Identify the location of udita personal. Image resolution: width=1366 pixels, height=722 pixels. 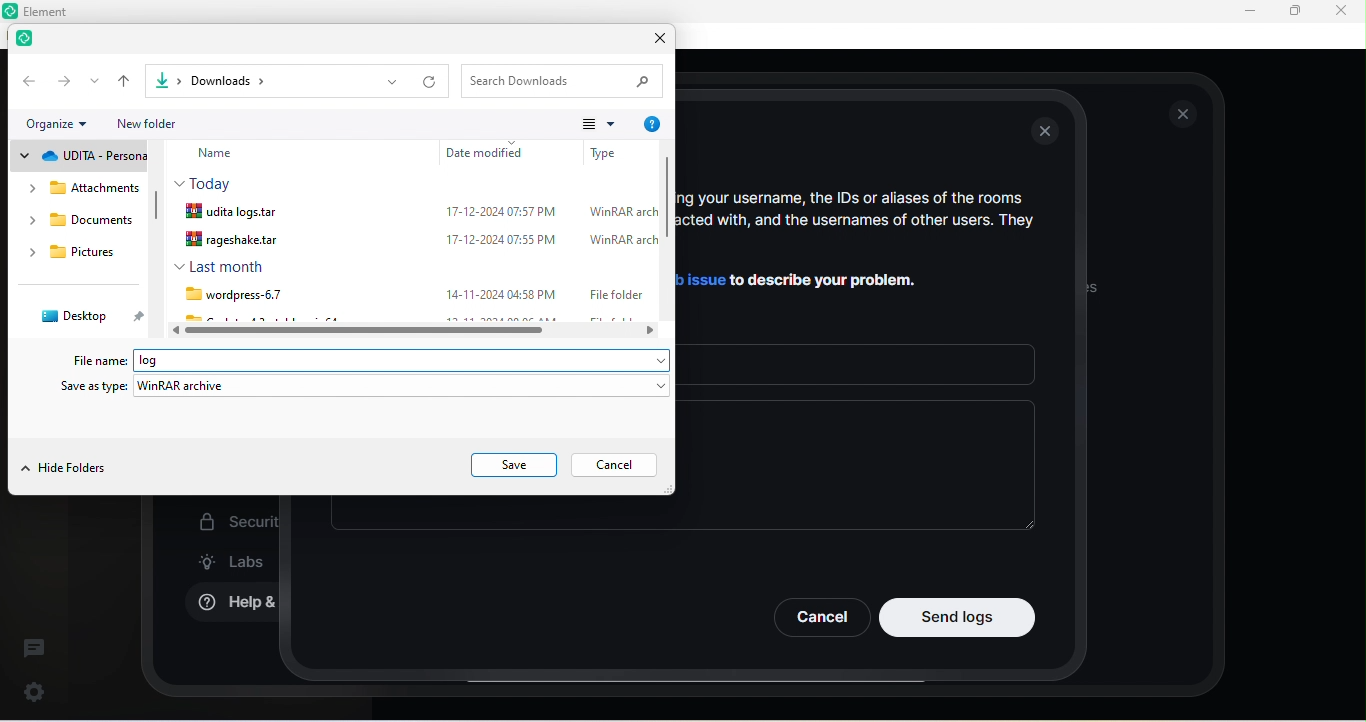
(79, 157).